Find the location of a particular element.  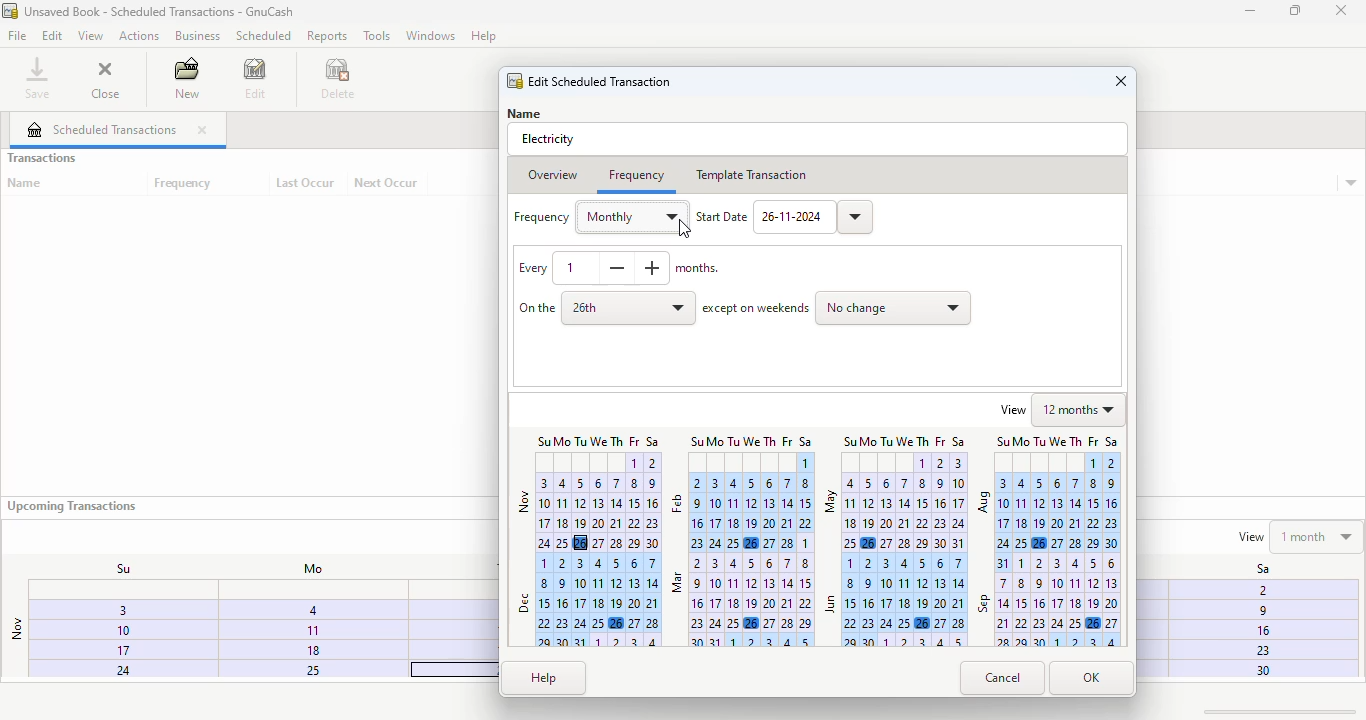

cursor is located at coordinates (685, 229).